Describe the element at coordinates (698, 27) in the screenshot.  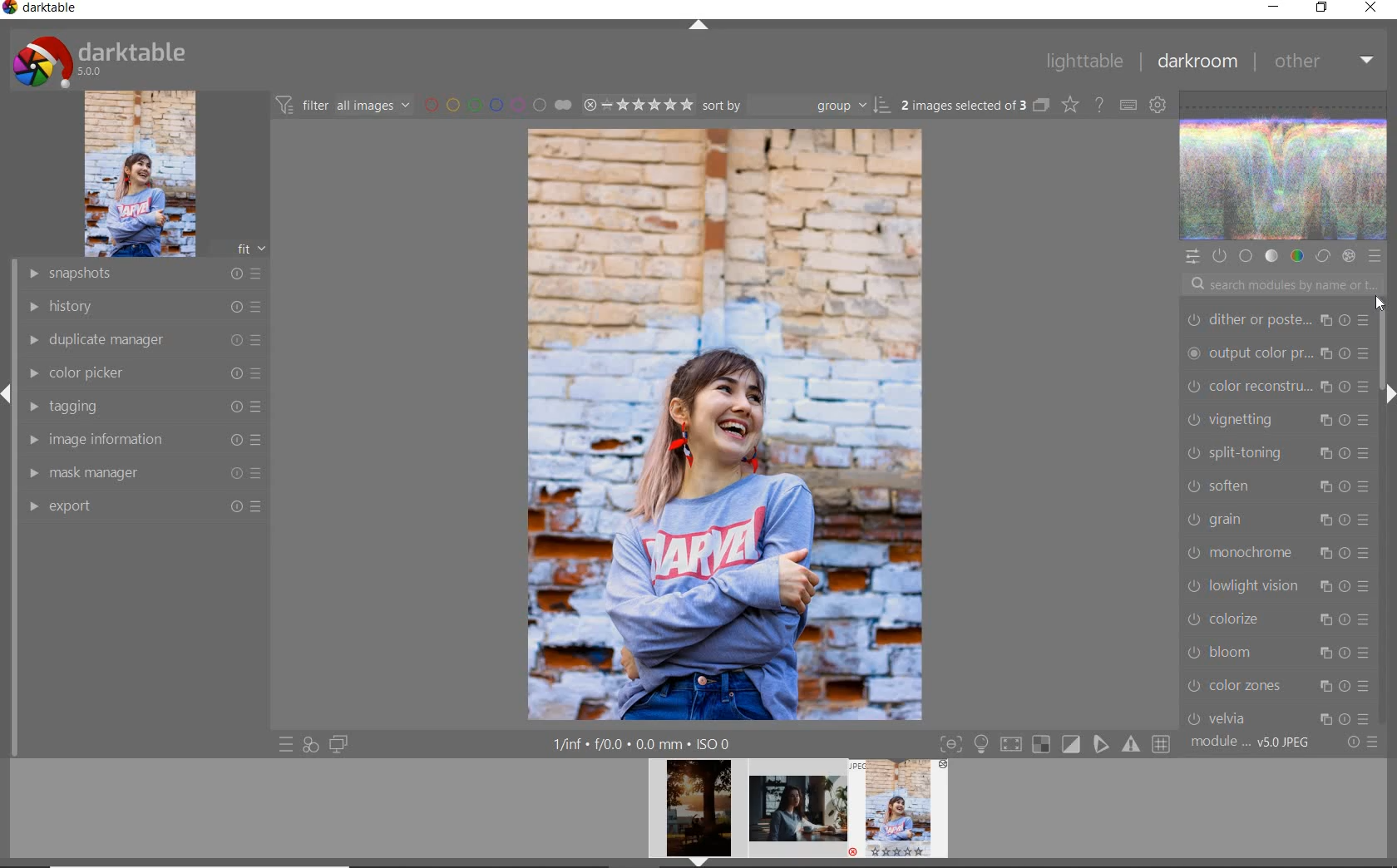
I see `expand/collapse` at that location.